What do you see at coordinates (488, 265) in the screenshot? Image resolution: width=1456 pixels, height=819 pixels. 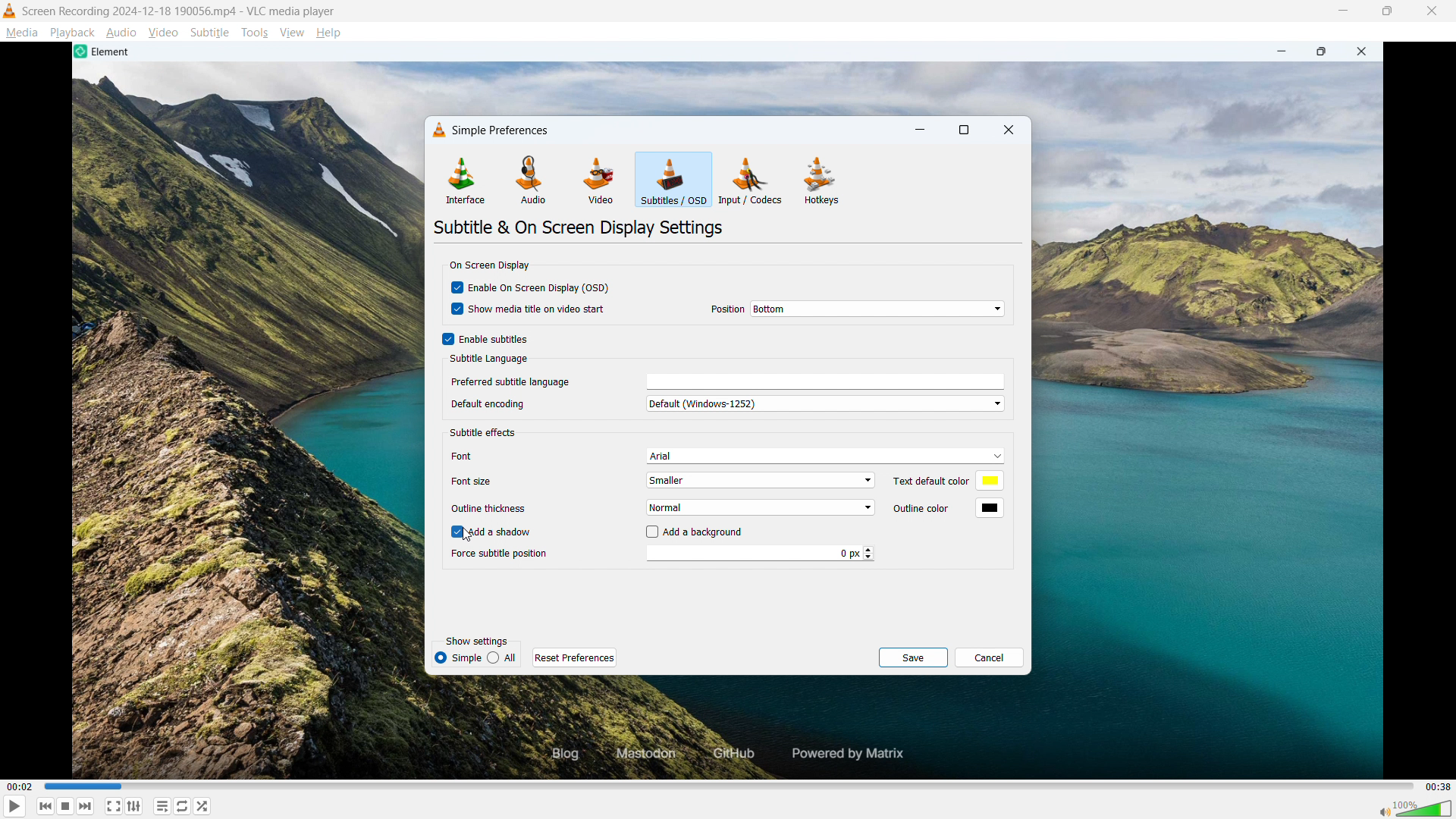 I see `on screen display ` at bounding box center [488, 265].